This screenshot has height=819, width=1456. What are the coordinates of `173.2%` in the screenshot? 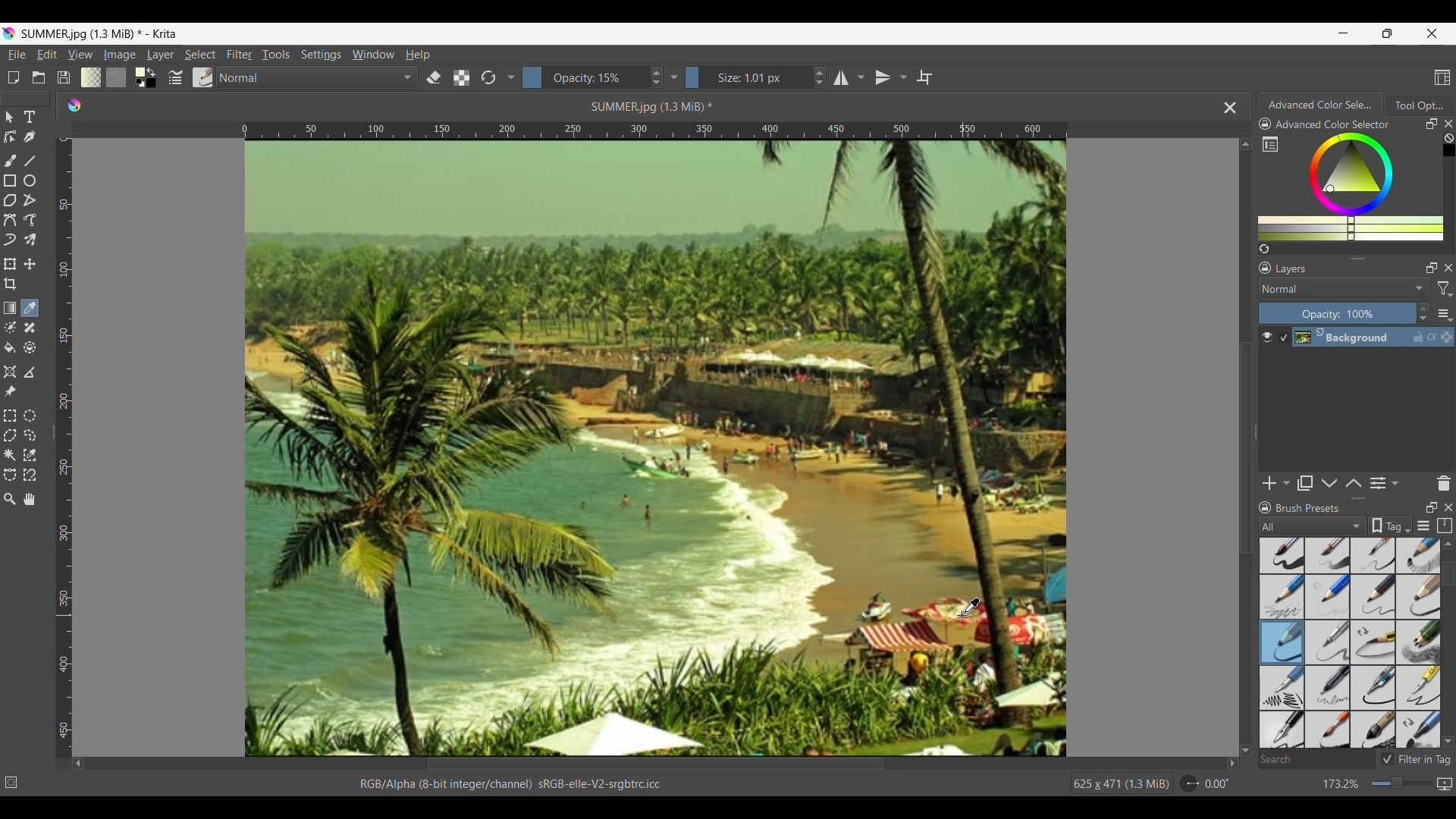 It's located at (1341, 785).